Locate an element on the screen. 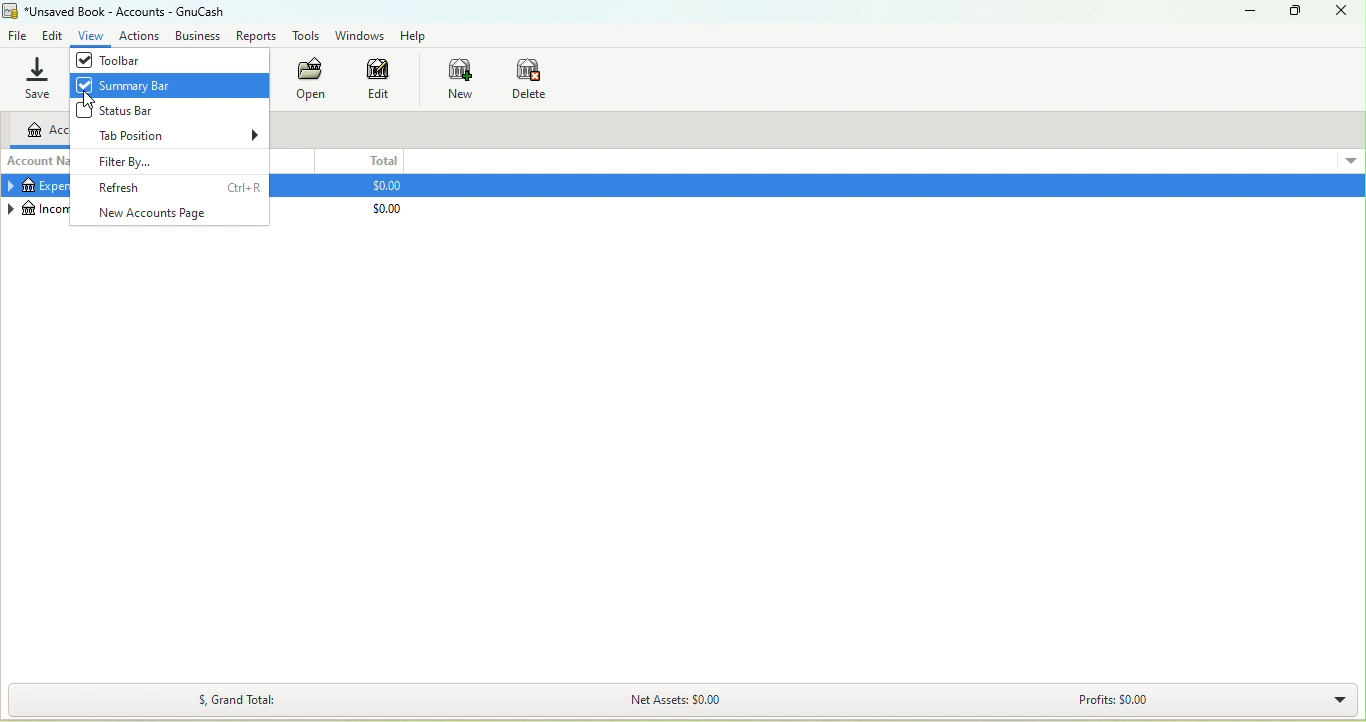  Filter by... is located at coordinates (169, 162).